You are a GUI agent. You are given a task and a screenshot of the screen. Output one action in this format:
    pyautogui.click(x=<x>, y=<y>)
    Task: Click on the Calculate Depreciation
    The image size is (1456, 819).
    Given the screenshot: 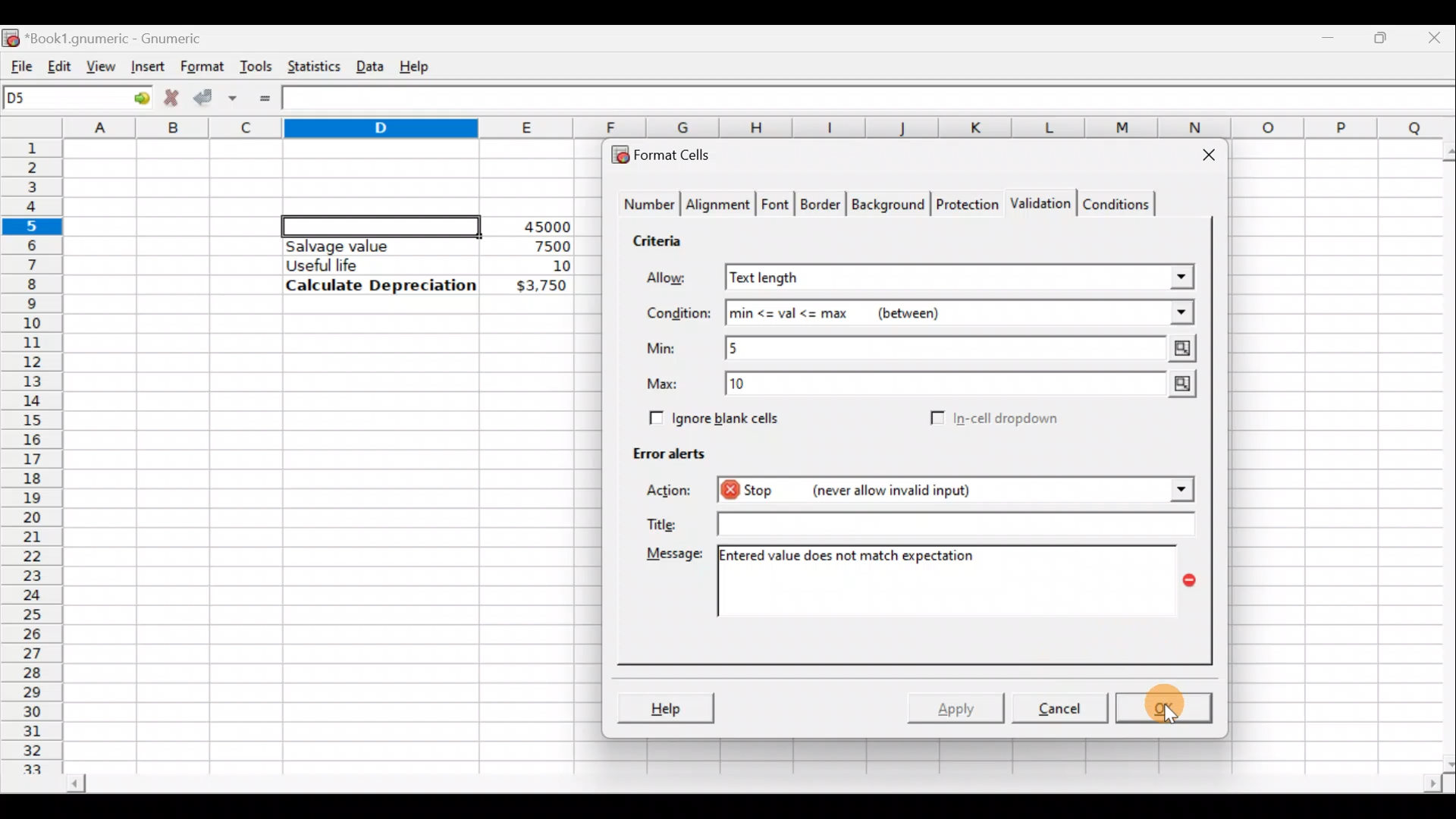 What is the action you would take?
    pyautogui.click(x=381, y=284)
    